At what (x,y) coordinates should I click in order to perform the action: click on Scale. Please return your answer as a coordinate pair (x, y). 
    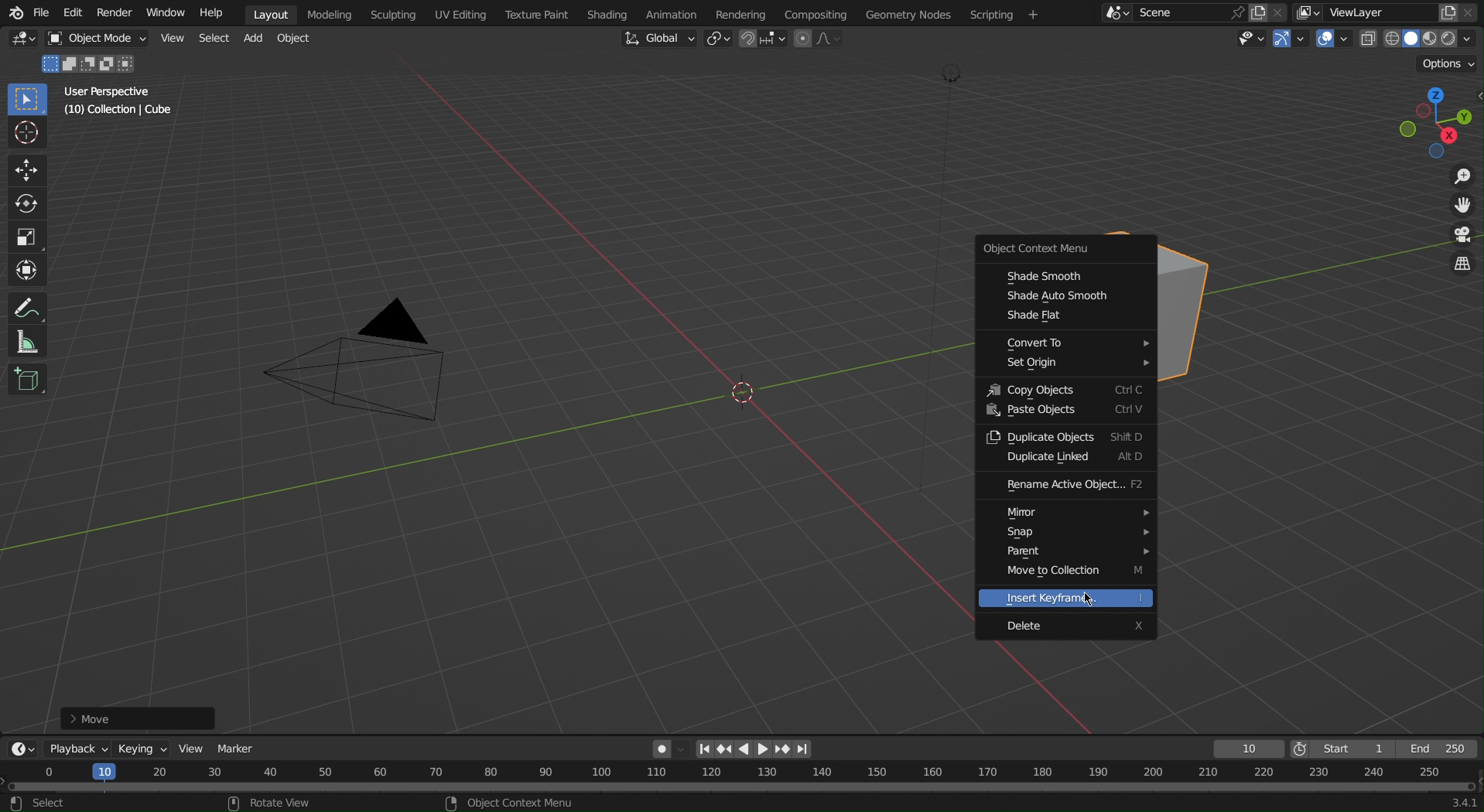
    Looking at the image, I should click on (29, 234).